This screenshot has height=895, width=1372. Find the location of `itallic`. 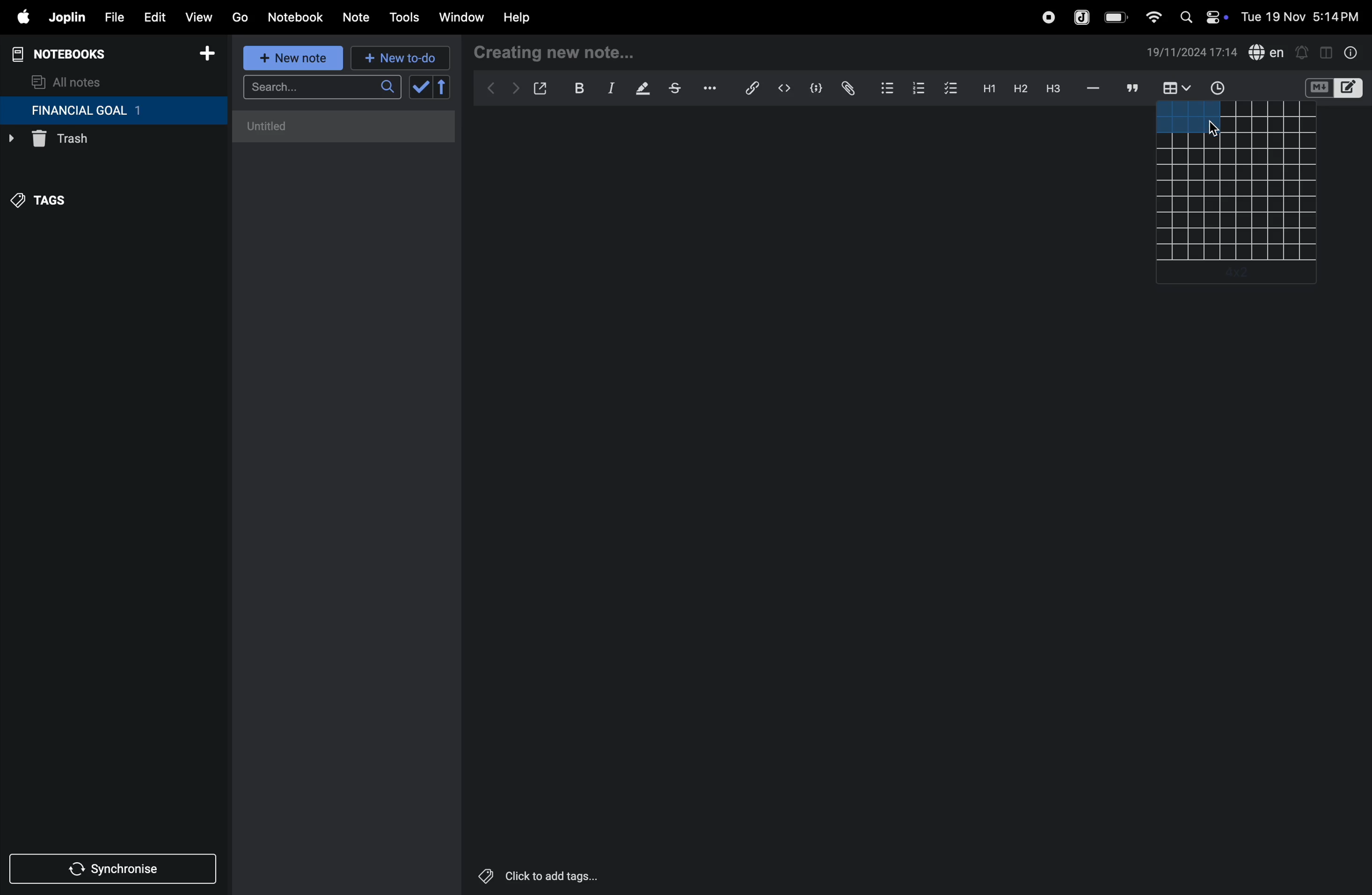

itallic is located at coordinates (609, 88).